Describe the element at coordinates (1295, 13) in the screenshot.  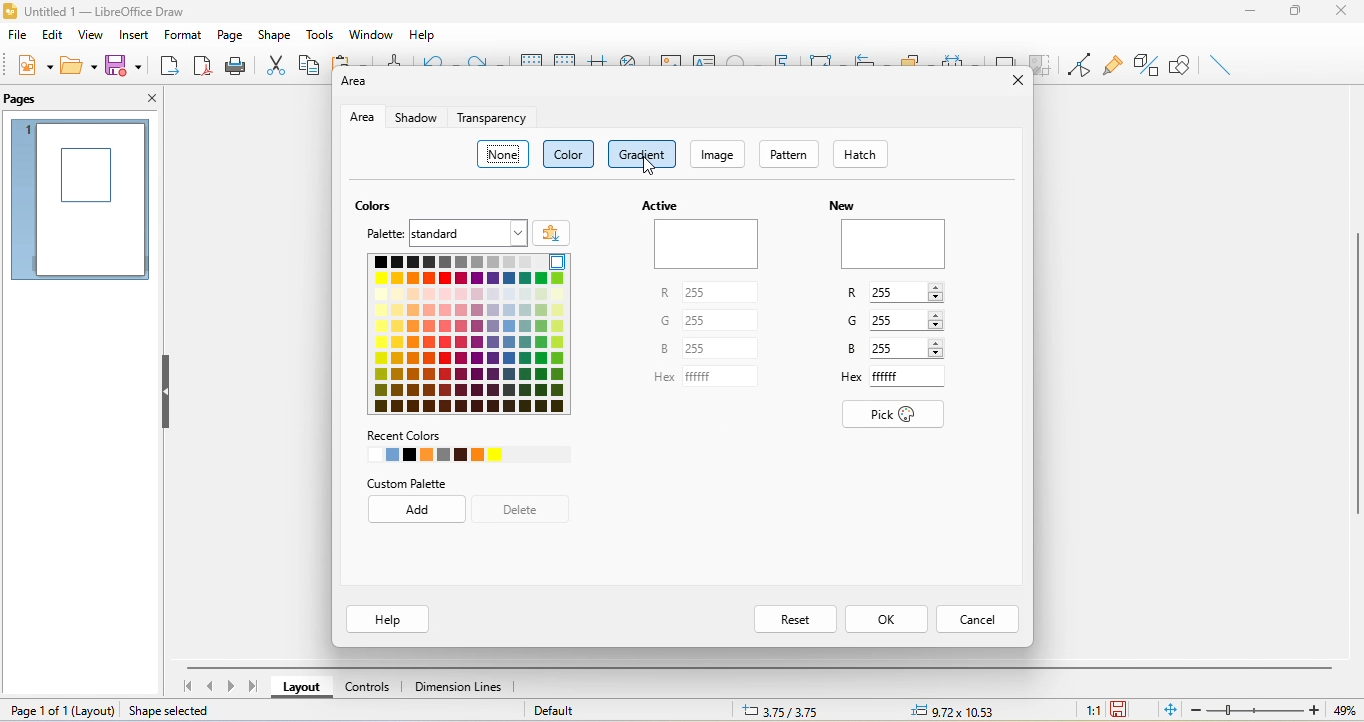
I see `maximize` at that location.